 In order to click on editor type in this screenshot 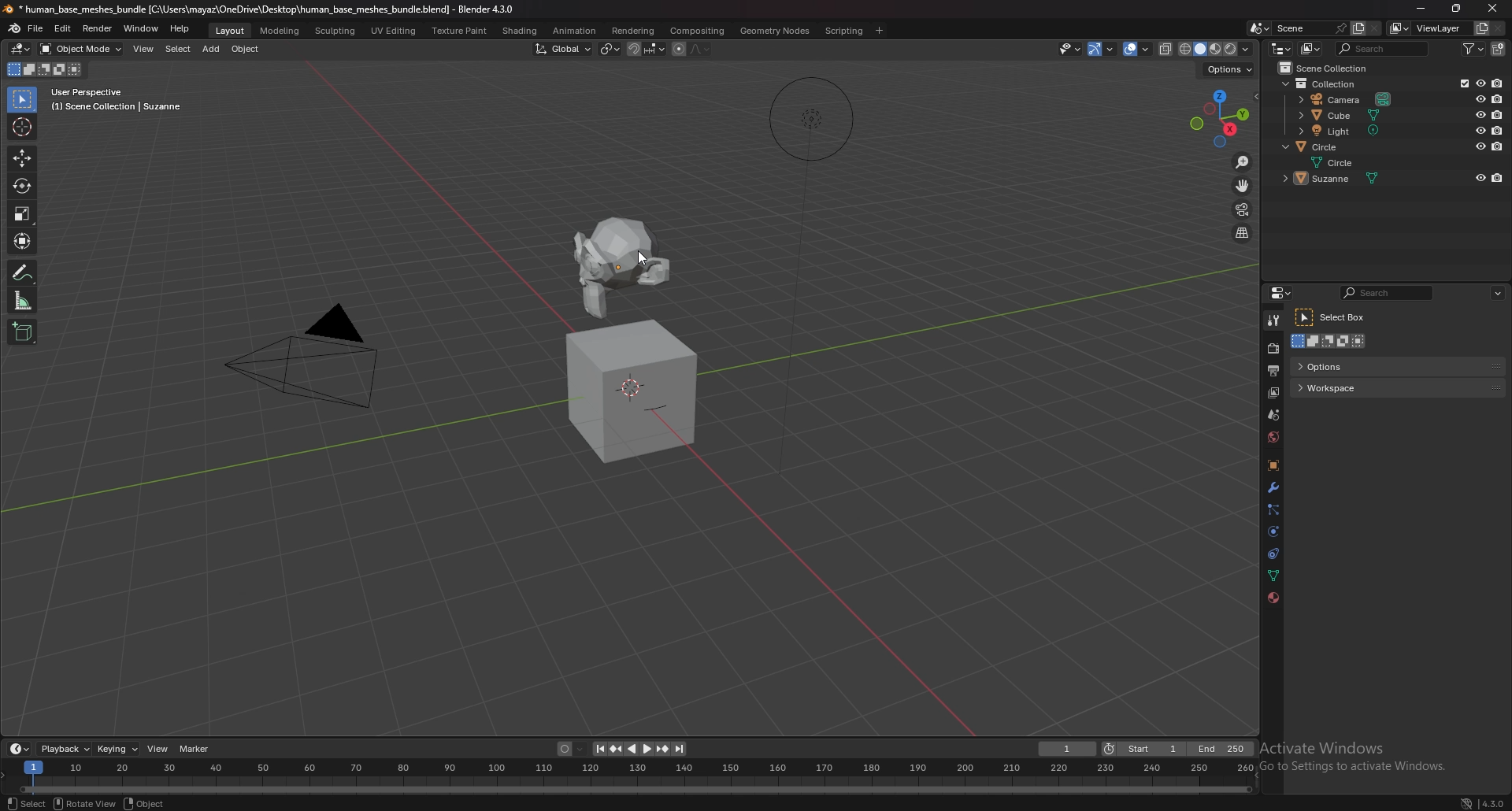, I will do `click(1280, 293)`.